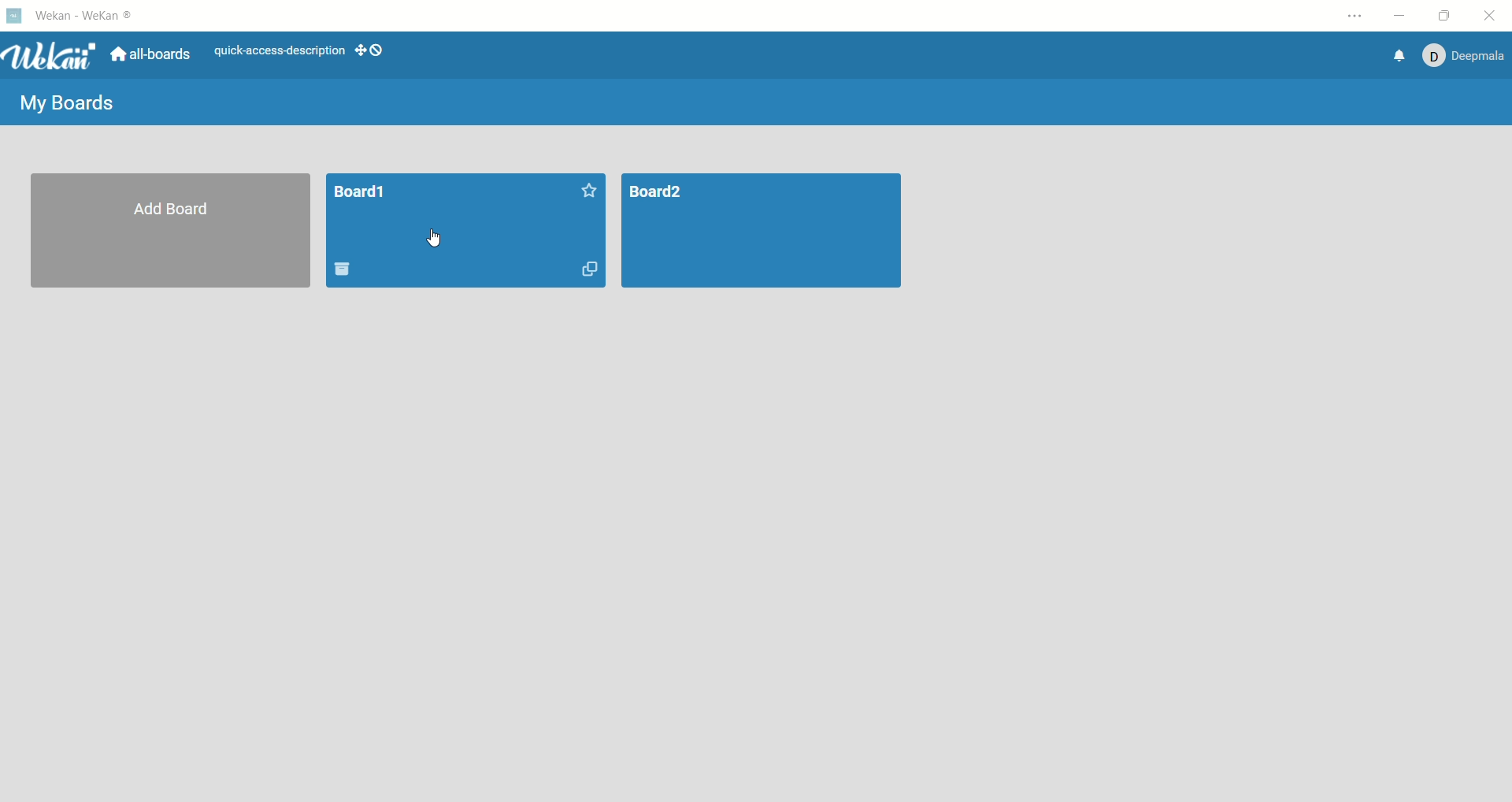 This screenshot has height=802, width=1512. Describe the element at coordinates (1443, 16) in the screenshot. I see `maximize` at that location.